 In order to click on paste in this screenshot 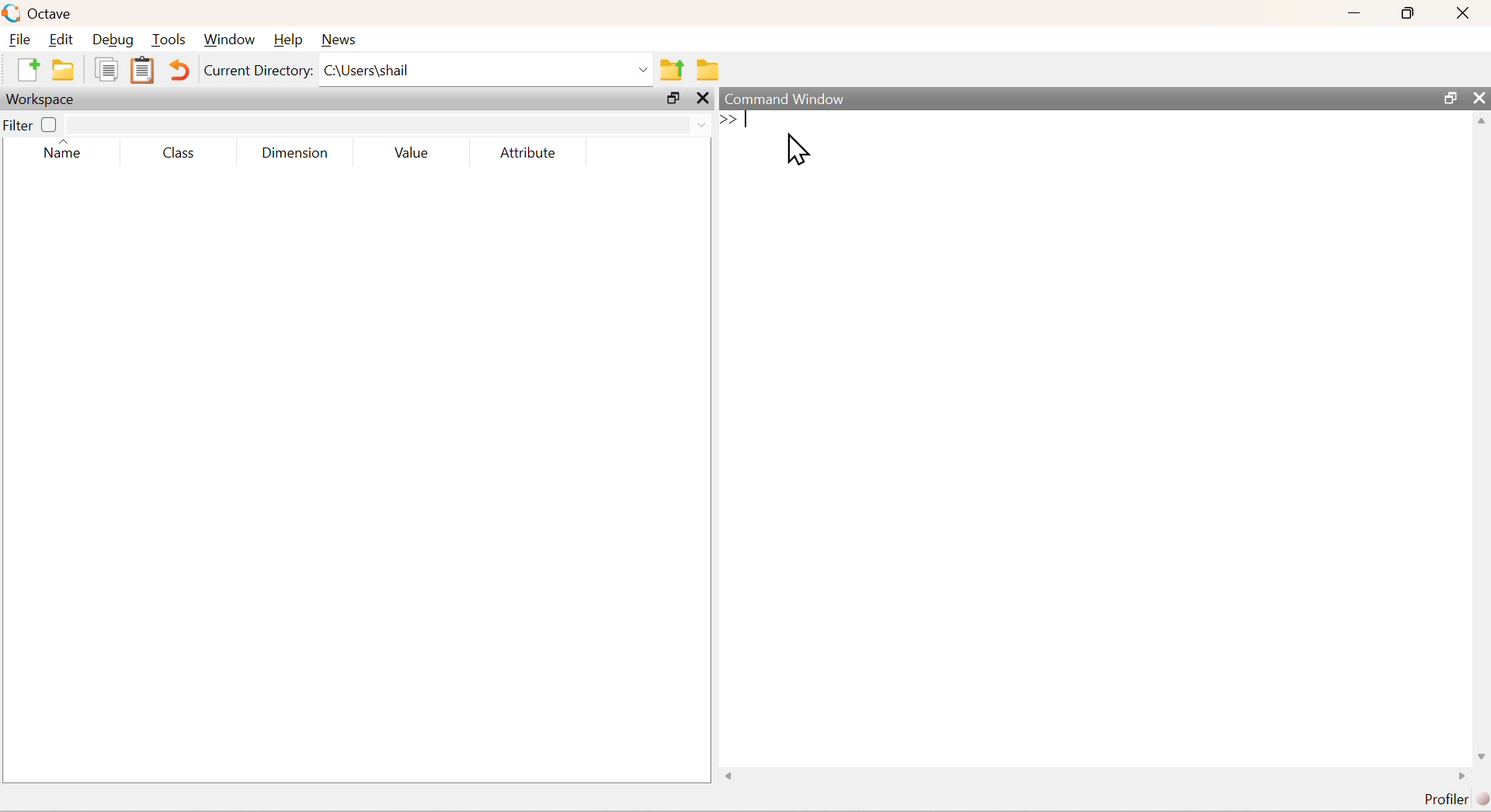, I will do `click(143, 71)`.